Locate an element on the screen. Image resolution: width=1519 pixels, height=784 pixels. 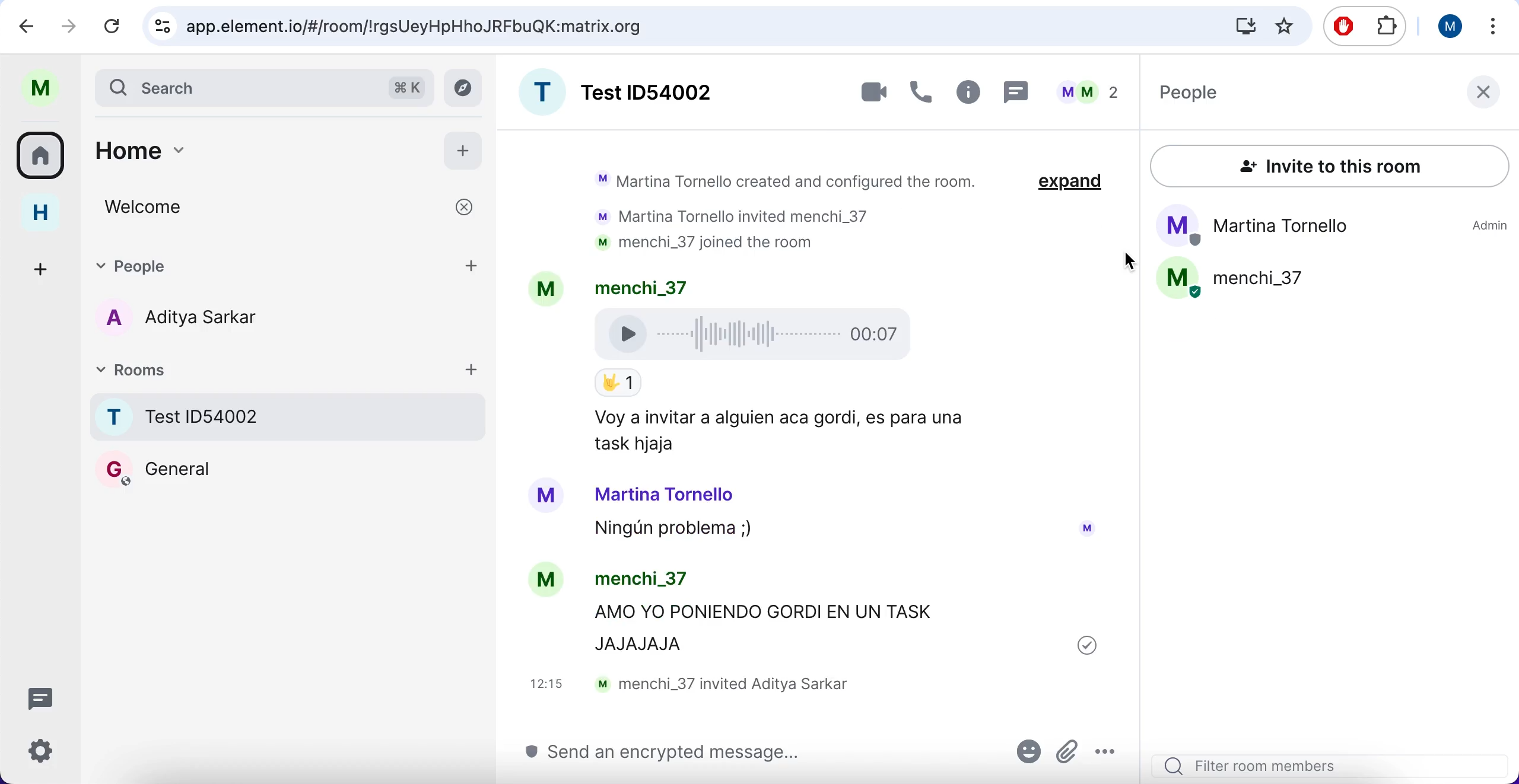
close is located at coordinates (1485, 98).